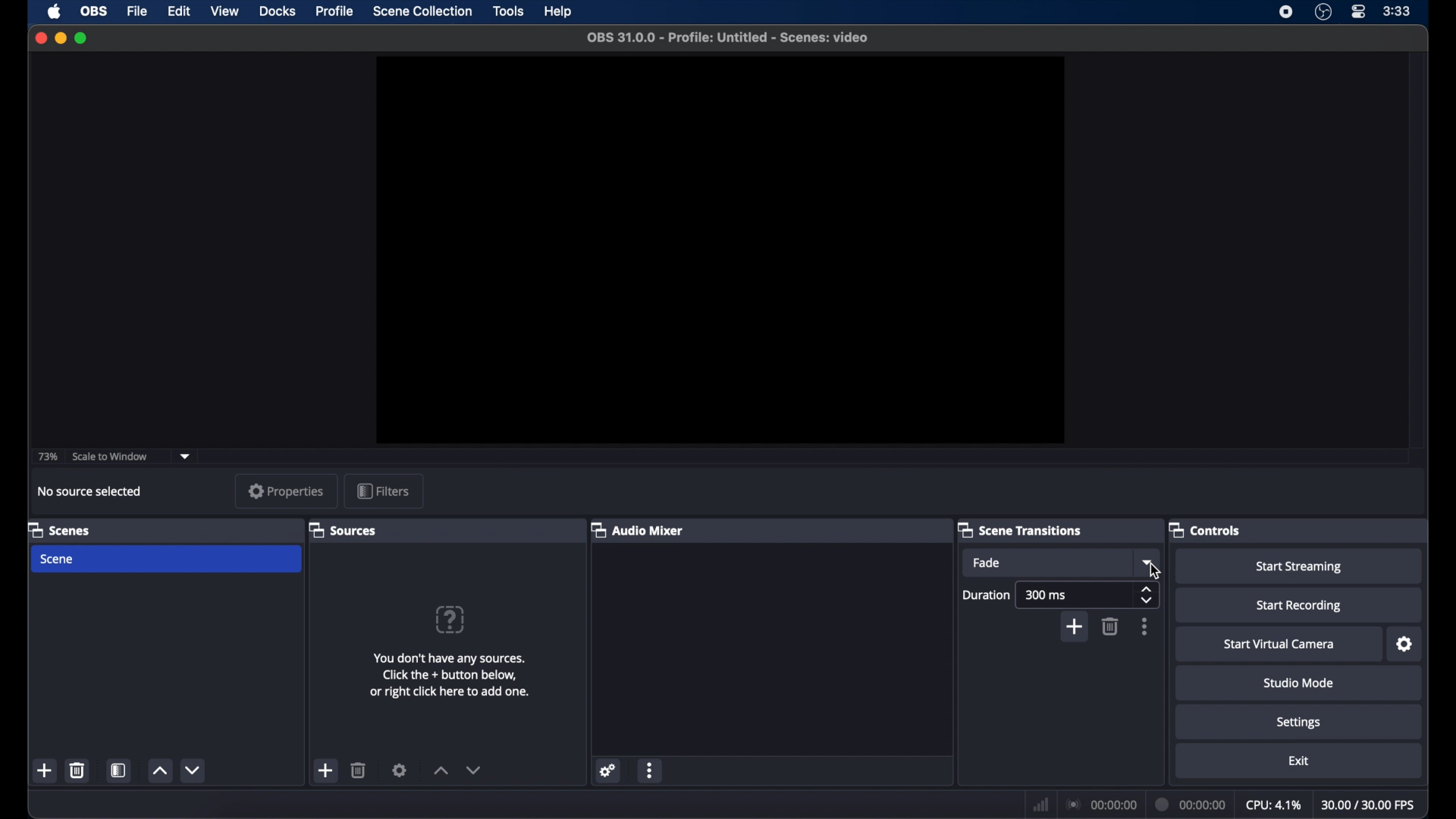  What do you see at coordinates (1282, 645) in the screenshot?
I see `start virtual camera` at bounding box center [1282, 645].